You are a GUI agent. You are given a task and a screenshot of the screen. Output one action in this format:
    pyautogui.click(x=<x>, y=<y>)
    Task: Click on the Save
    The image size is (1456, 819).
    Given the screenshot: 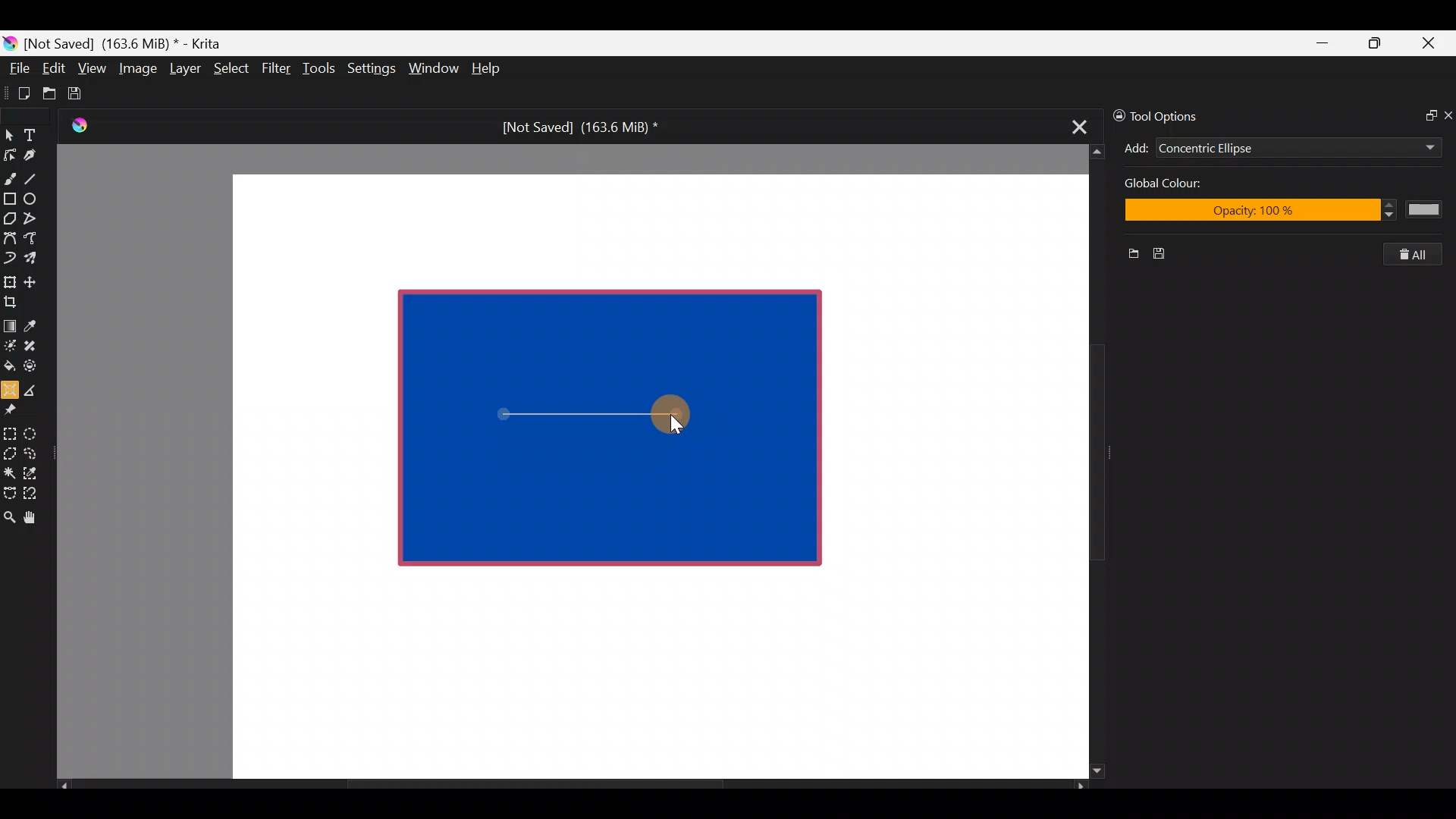 What is the action you would take?
    pyautogui.click(x=1165, y=254)
    